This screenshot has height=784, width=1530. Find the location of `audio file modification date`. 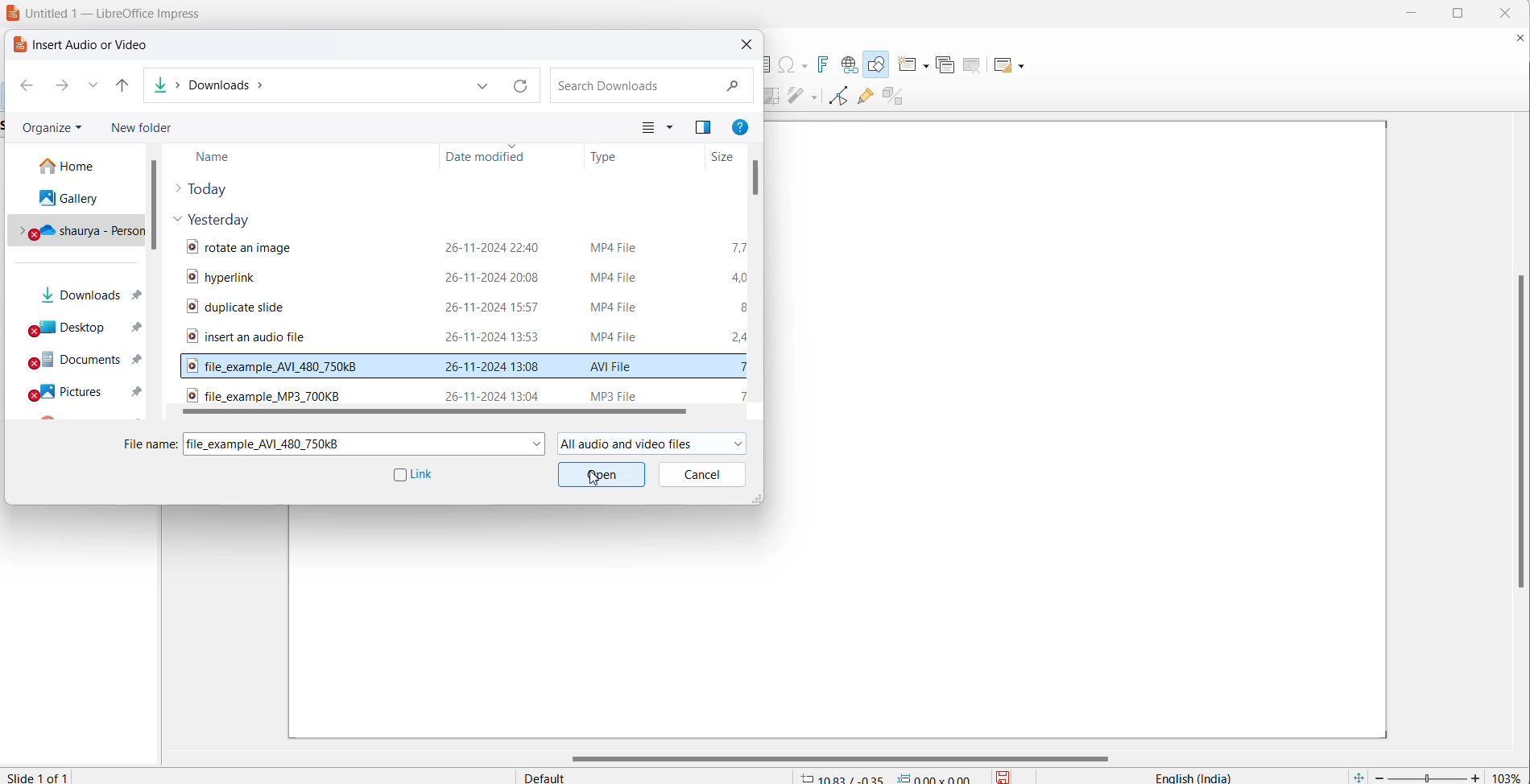

audio file modification date is located at coordinates (539, 391).